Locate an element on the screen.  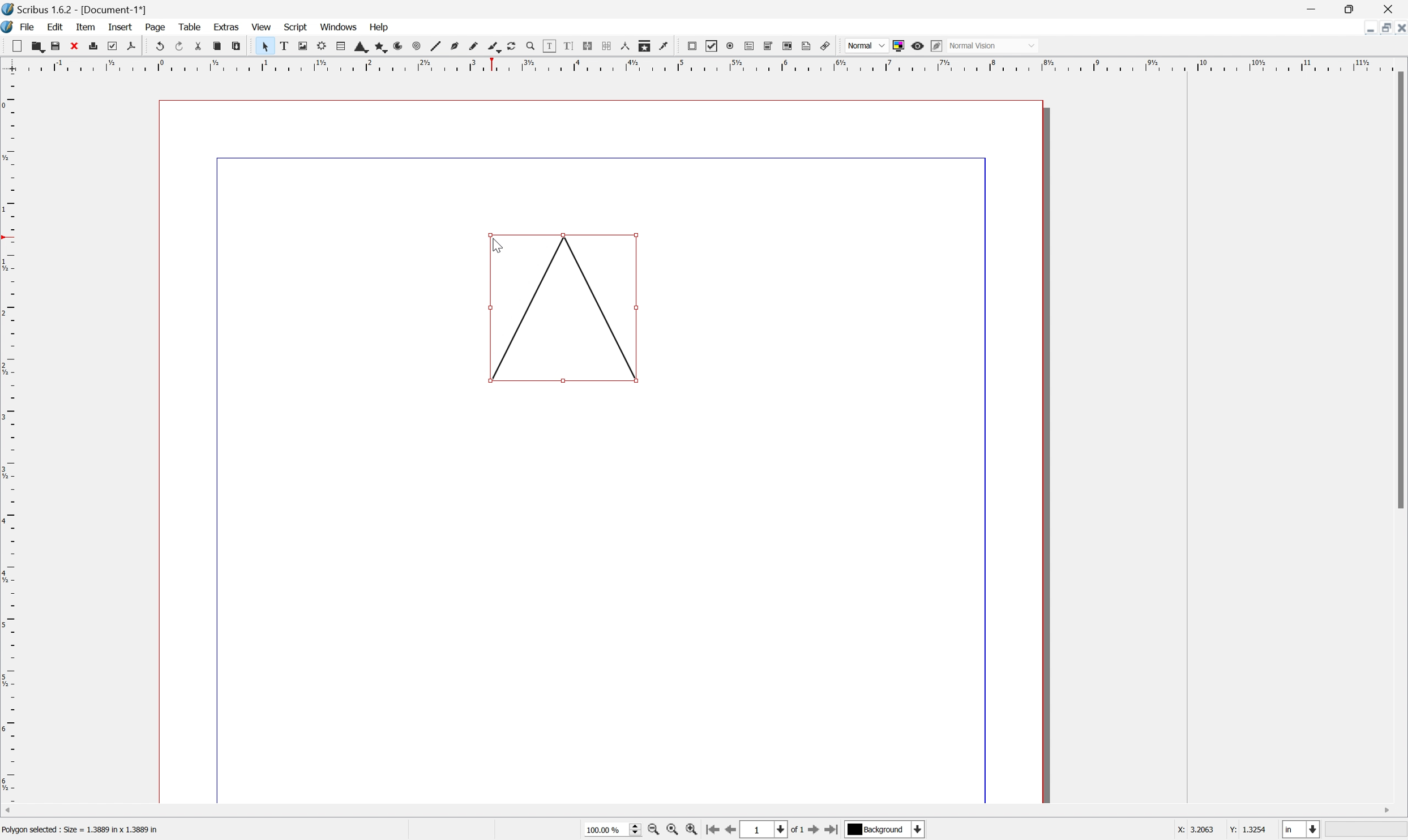
Insert is located at coordinates (121, 27).